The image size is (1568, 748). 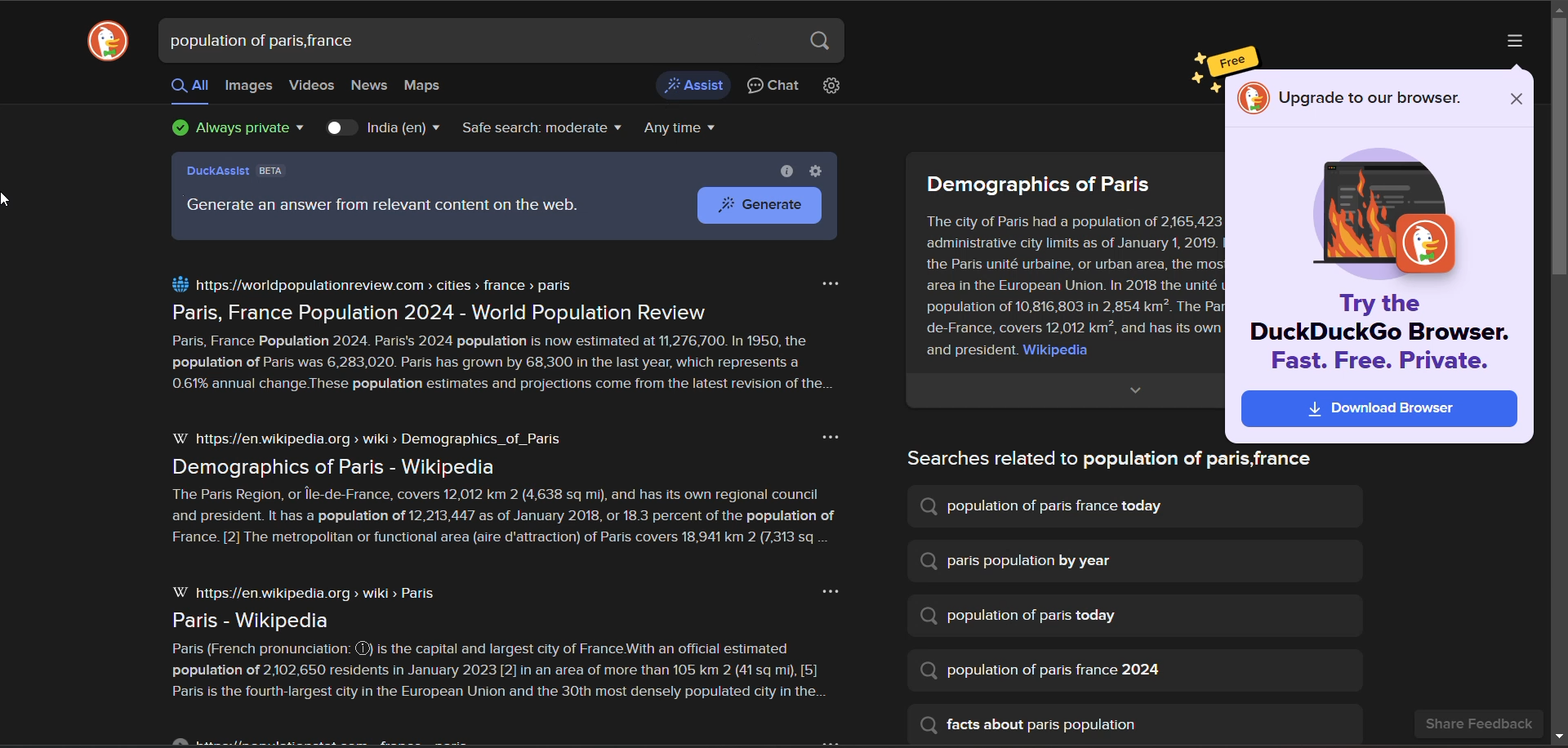 What do you see at coordinates (1381, 333) in the screenshot?
I see `Try the
DuckDuckGo Browser.
Fast. Free. Private.` at bounding box center [1381, 333].